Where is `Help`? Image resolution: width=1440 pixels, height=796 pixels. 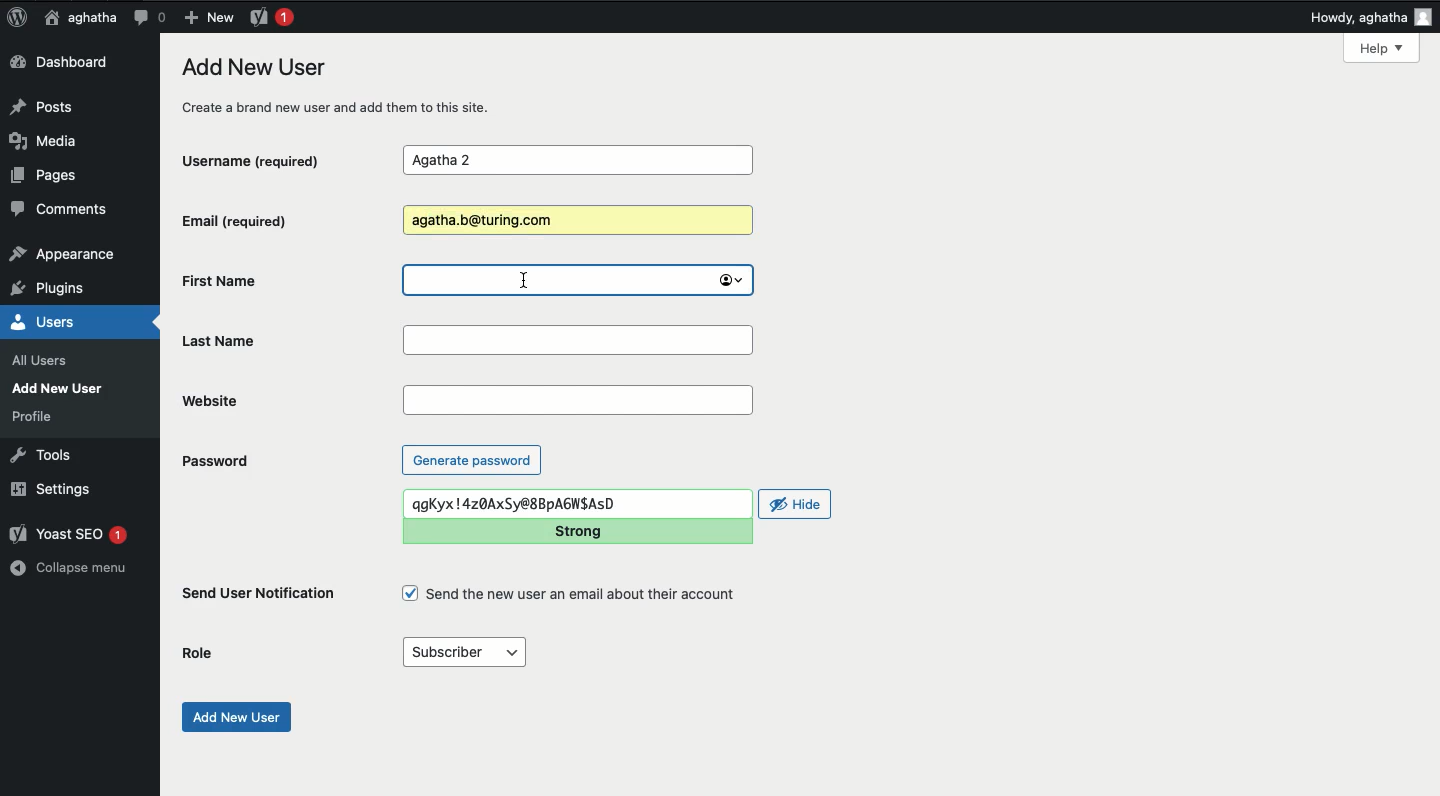 Help is located at coordinates (1381, 48).